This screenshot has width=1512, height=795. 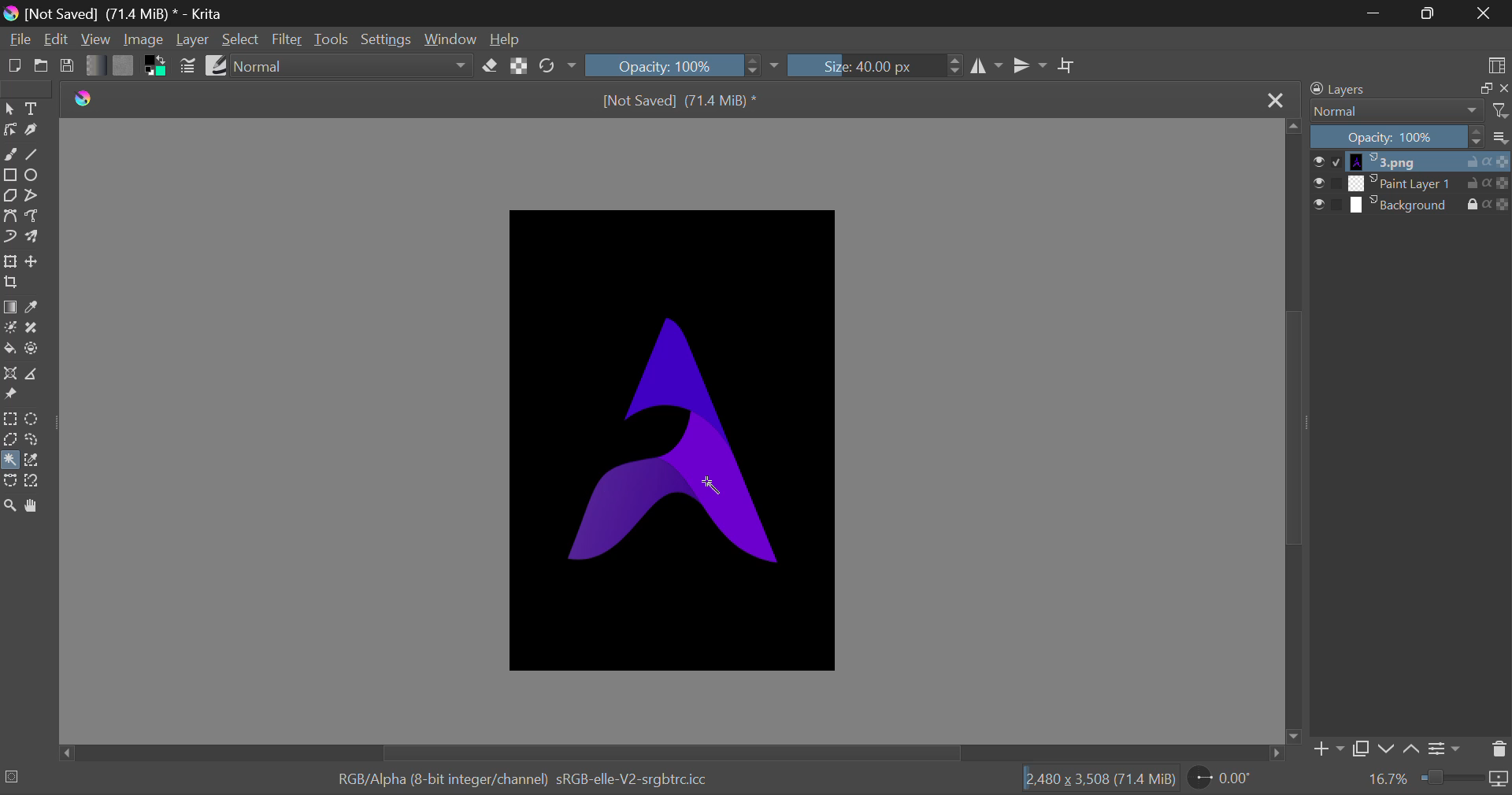 What do you see at coordinates (713, 482) in the screenshot?
I see `Cursor on Image` at bounding box center [713, 482].